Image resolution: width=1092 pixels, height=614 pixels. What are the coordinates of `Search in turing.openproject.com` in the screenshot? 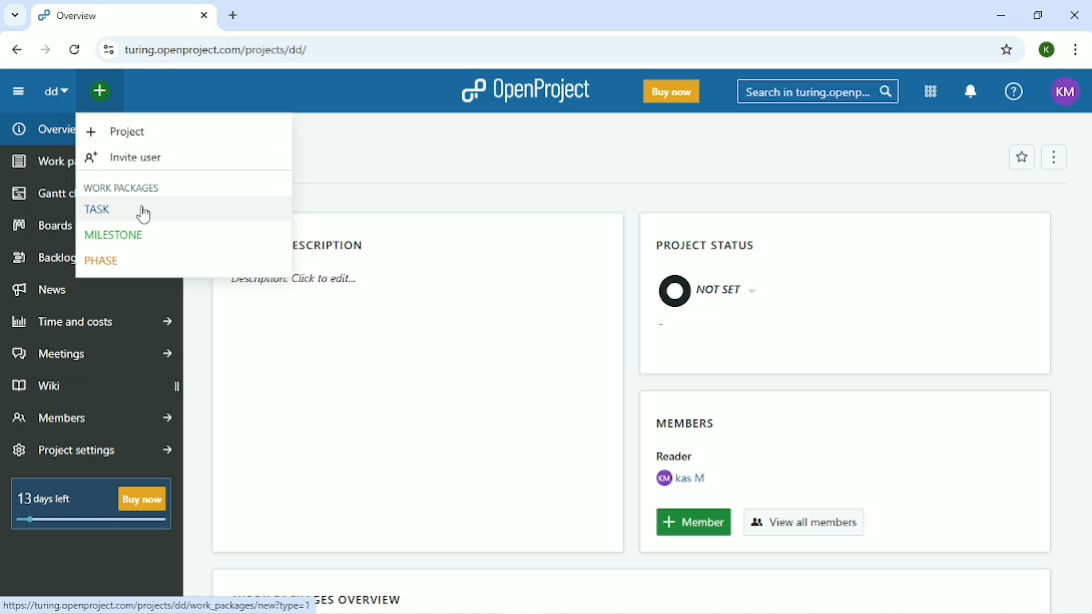 It's located at (818, 91).